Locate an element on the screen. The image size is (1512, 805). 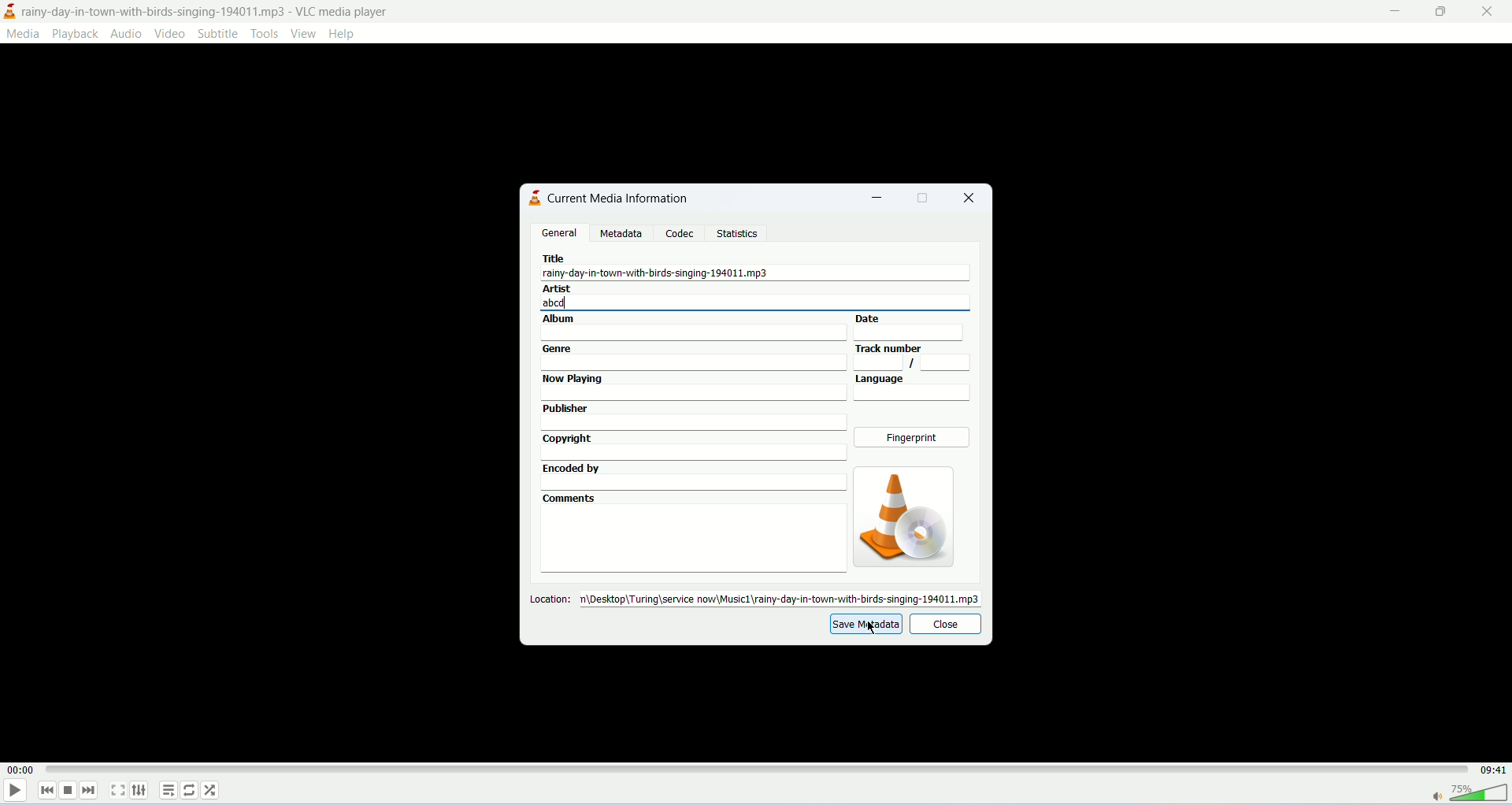
minimize is located at coordinates (1395, 9).